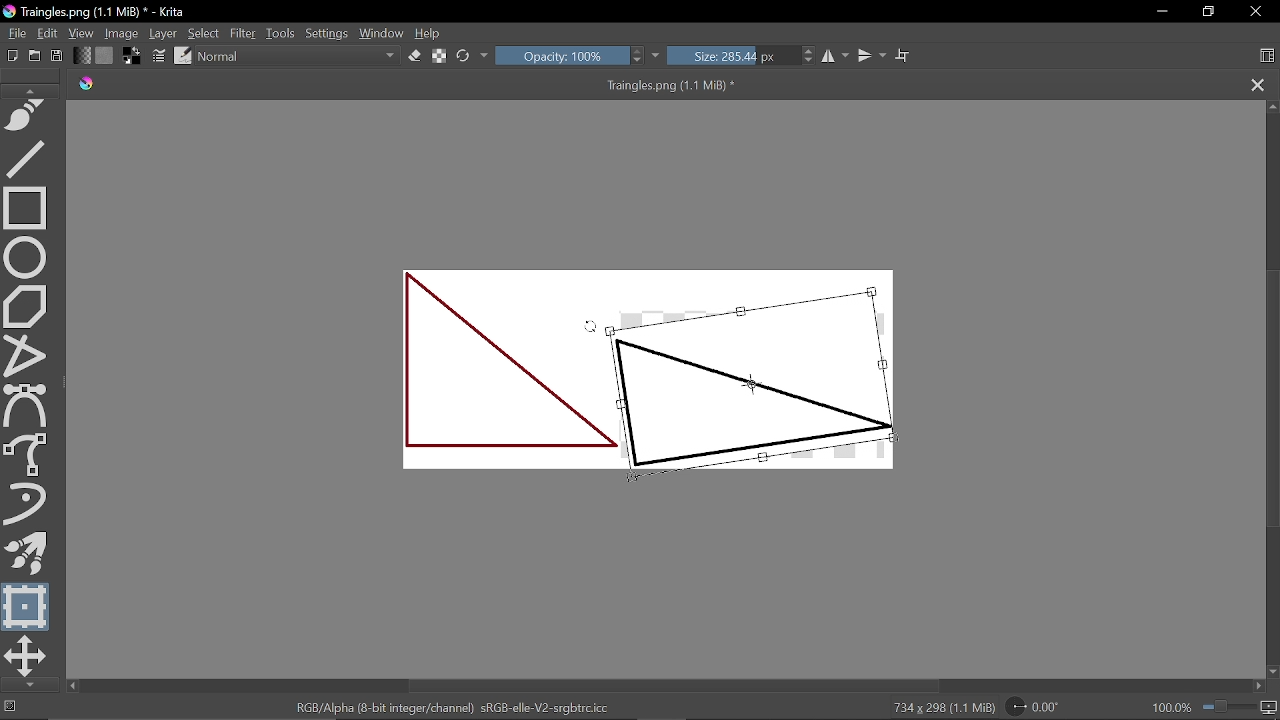 The width and height of the screenshot is (1280, 720). I want to click on Move up, so click(1272, 107).